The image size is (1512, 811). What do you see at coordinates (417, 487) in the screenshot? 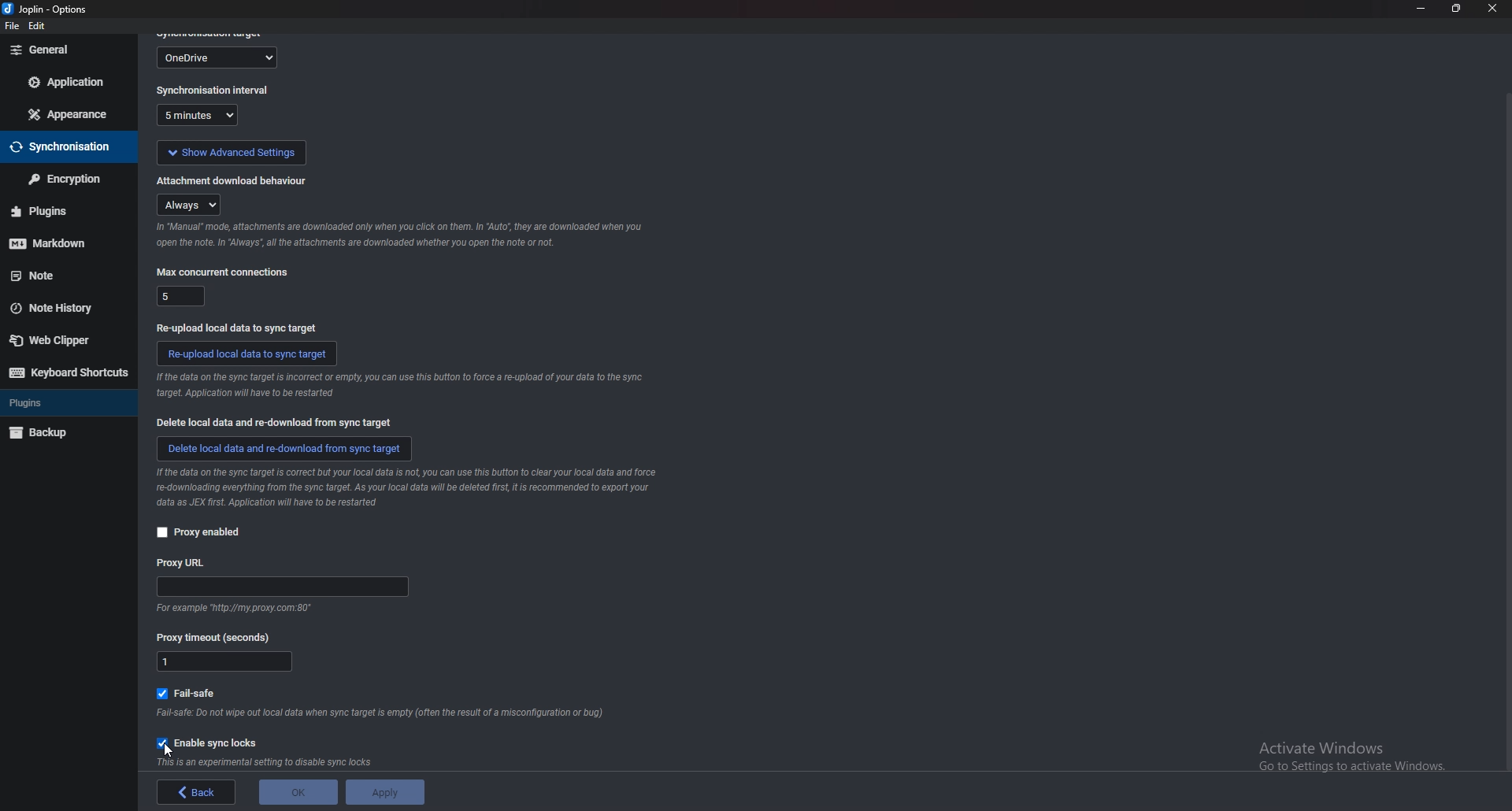
I see `info` at bounding box center [417, 487].